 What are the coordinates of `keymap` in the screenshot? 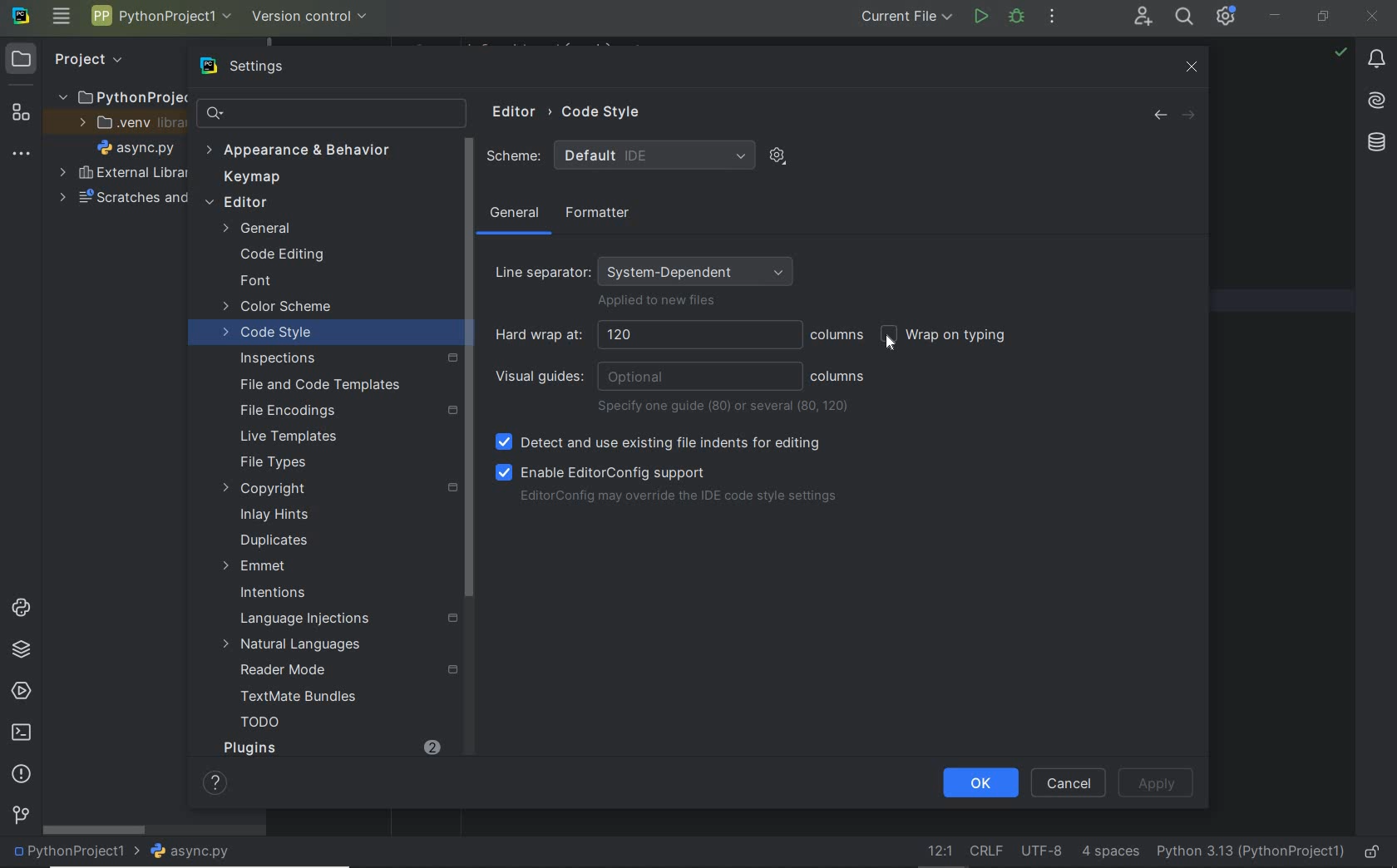 It's located at (254, 179).